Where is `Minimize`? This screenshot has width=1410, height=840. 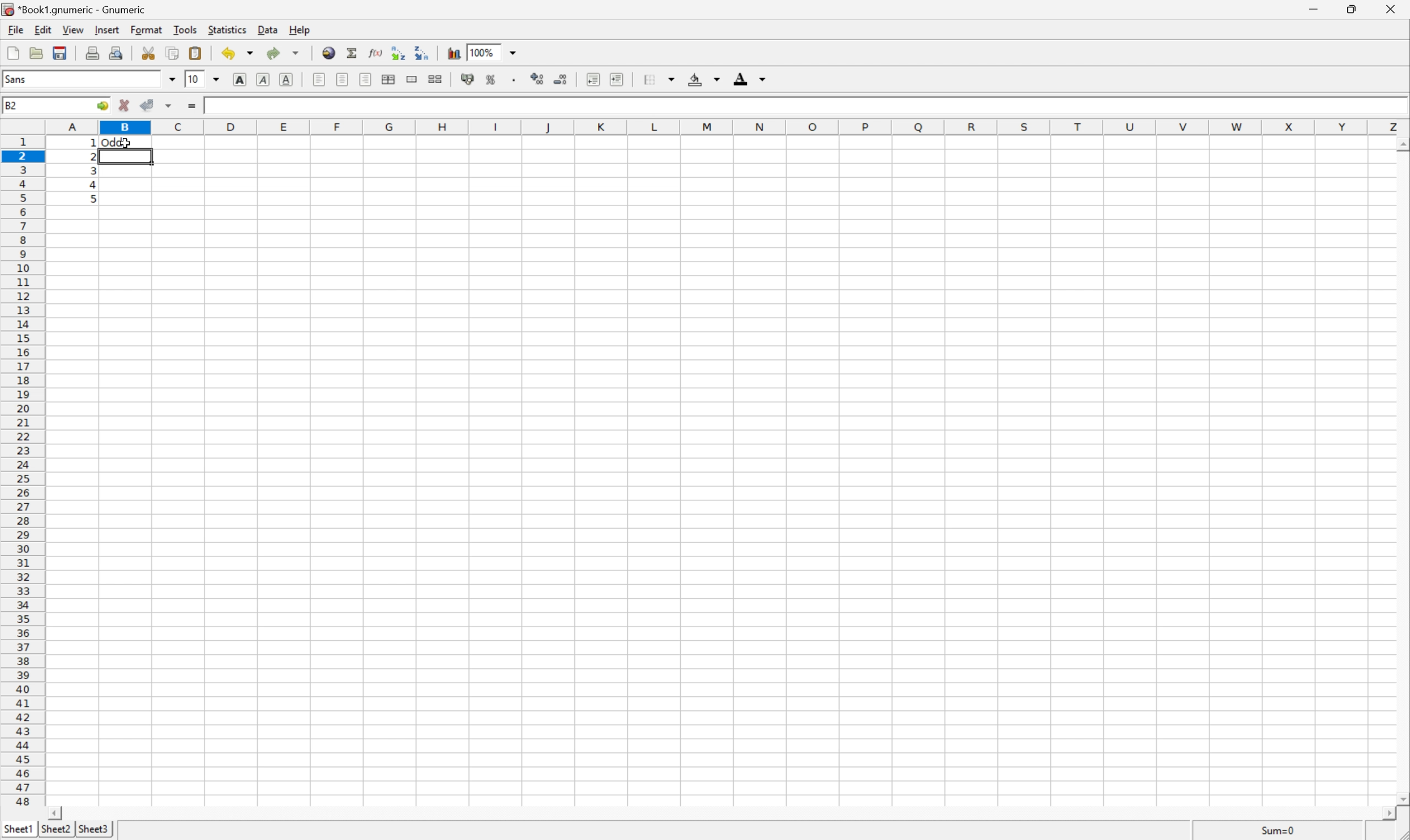
Minimize is located at coordinates (1316, 8).